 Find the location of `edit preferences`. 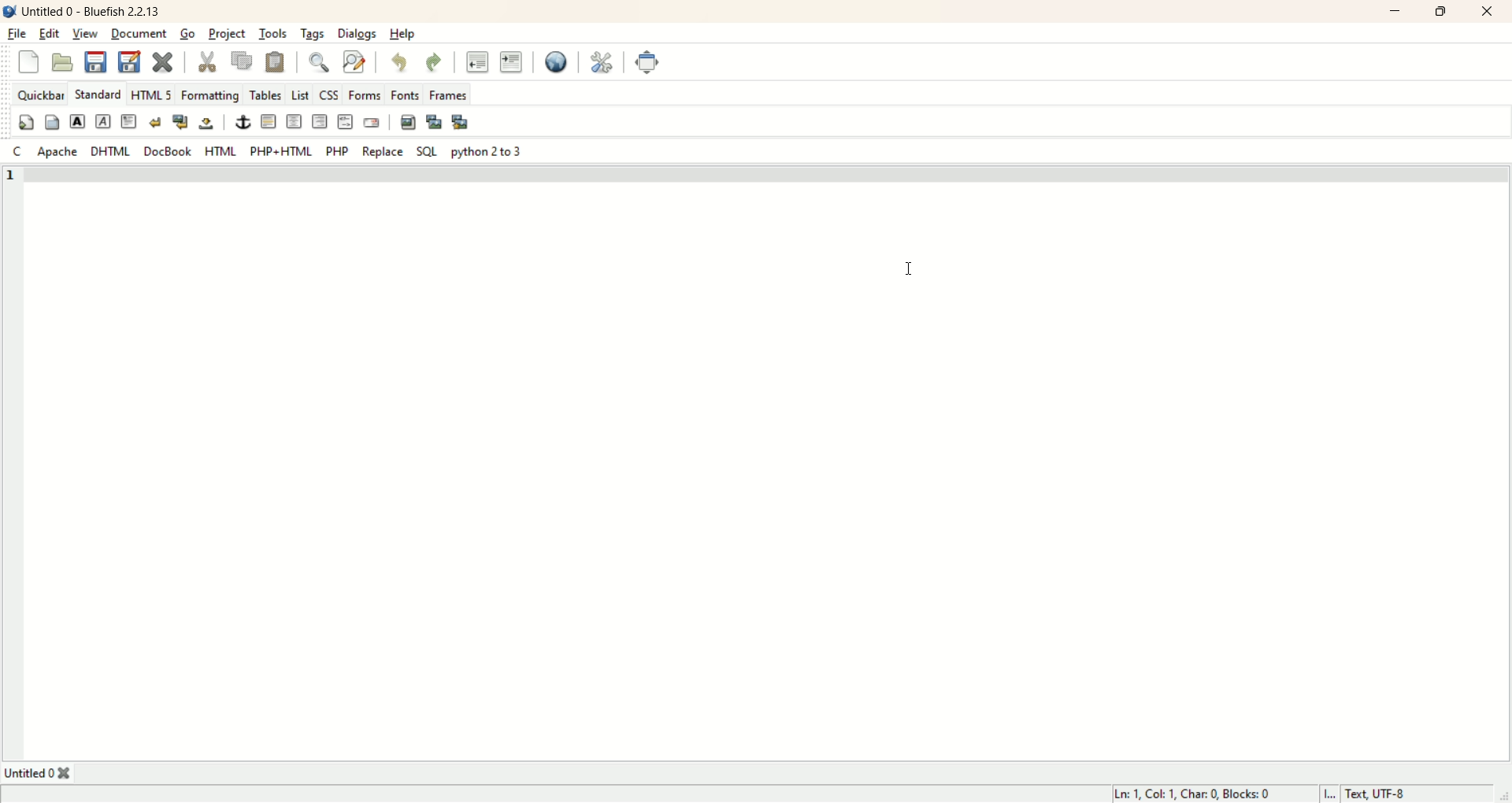

edit preferences is located at coordinates (601, 62).